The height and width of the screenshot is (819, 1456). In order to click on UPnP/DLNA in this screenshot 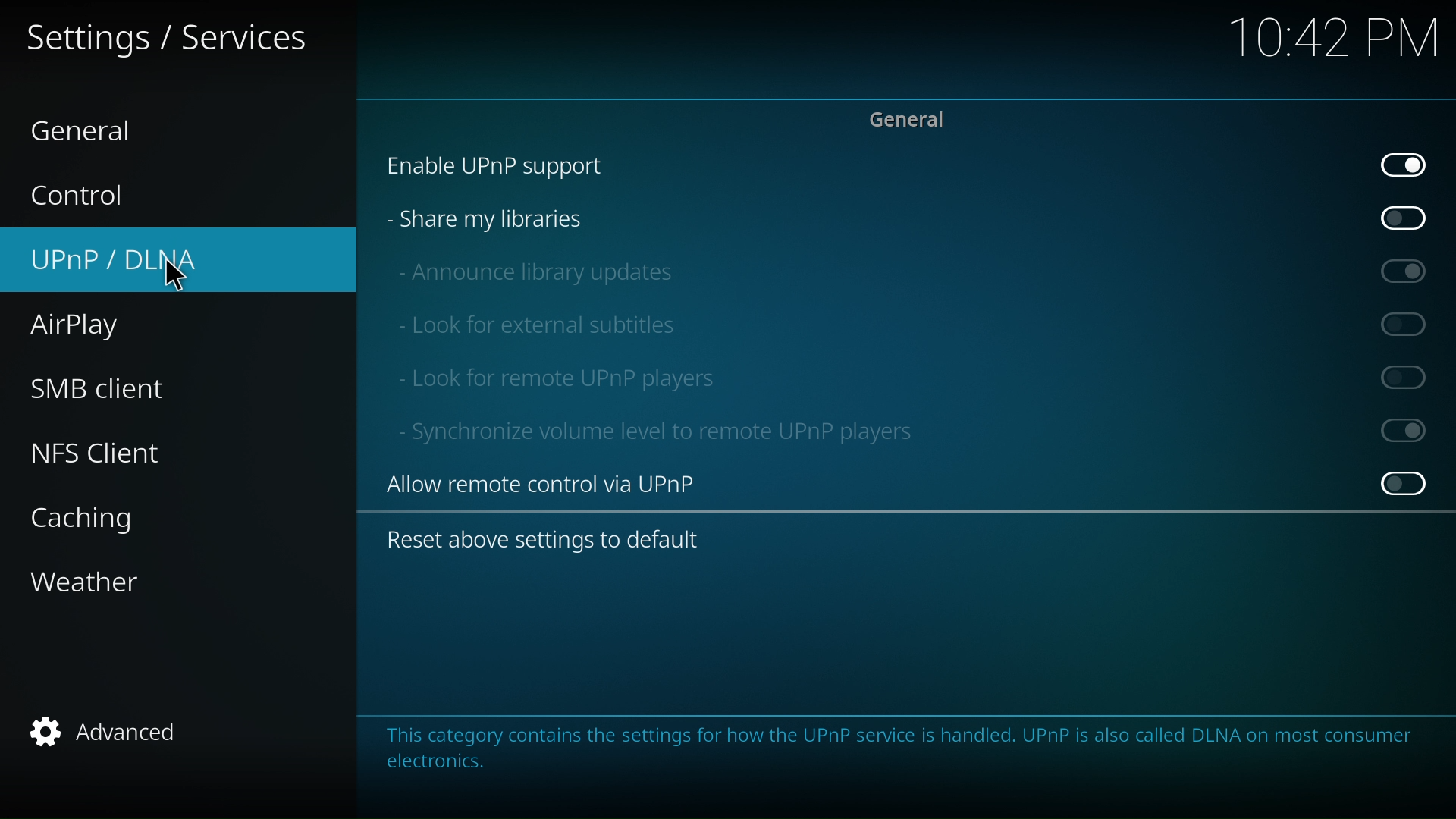, I will do `click(120, 258)`.